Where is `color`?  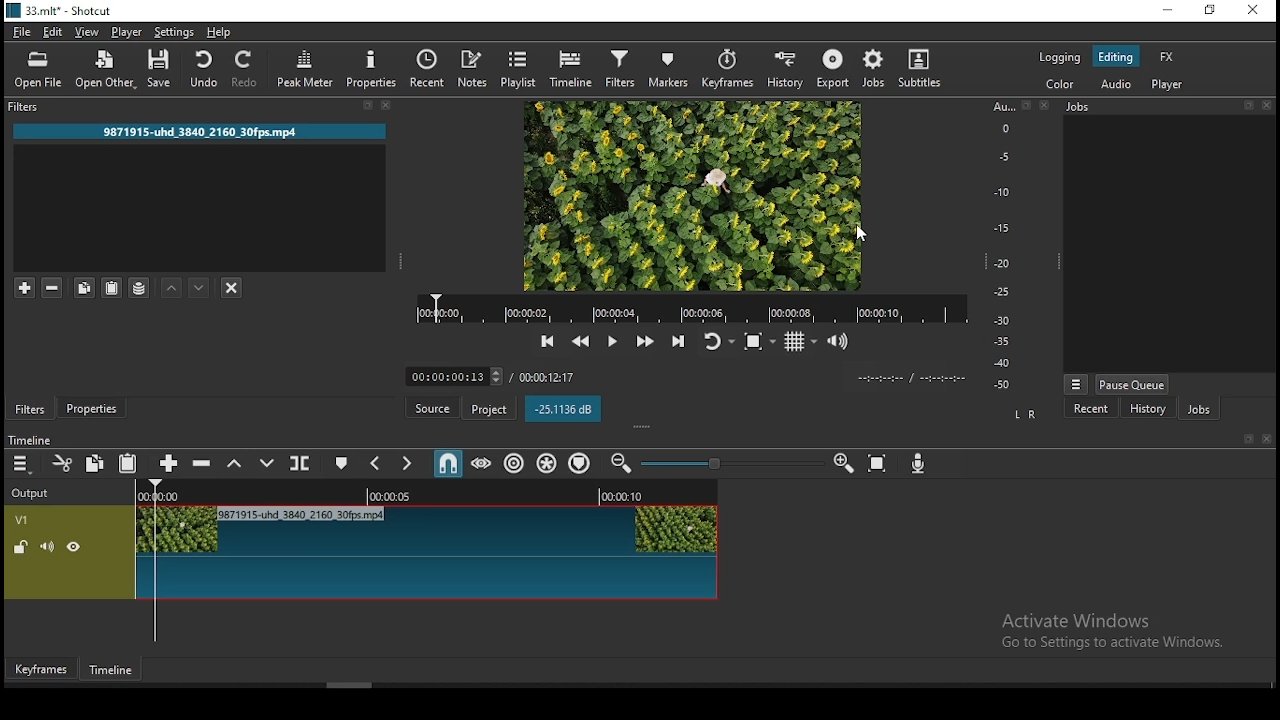 color is located at coordinates (1051, 86).